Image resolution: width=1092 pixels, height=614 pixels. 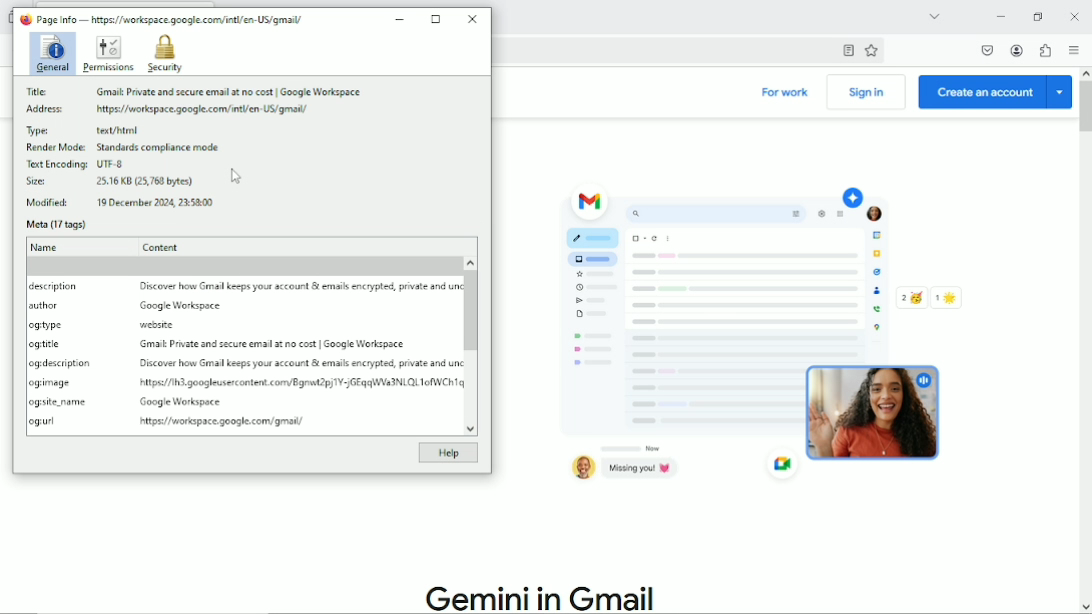 I want to click on og:type, so click(x=47, y=325).